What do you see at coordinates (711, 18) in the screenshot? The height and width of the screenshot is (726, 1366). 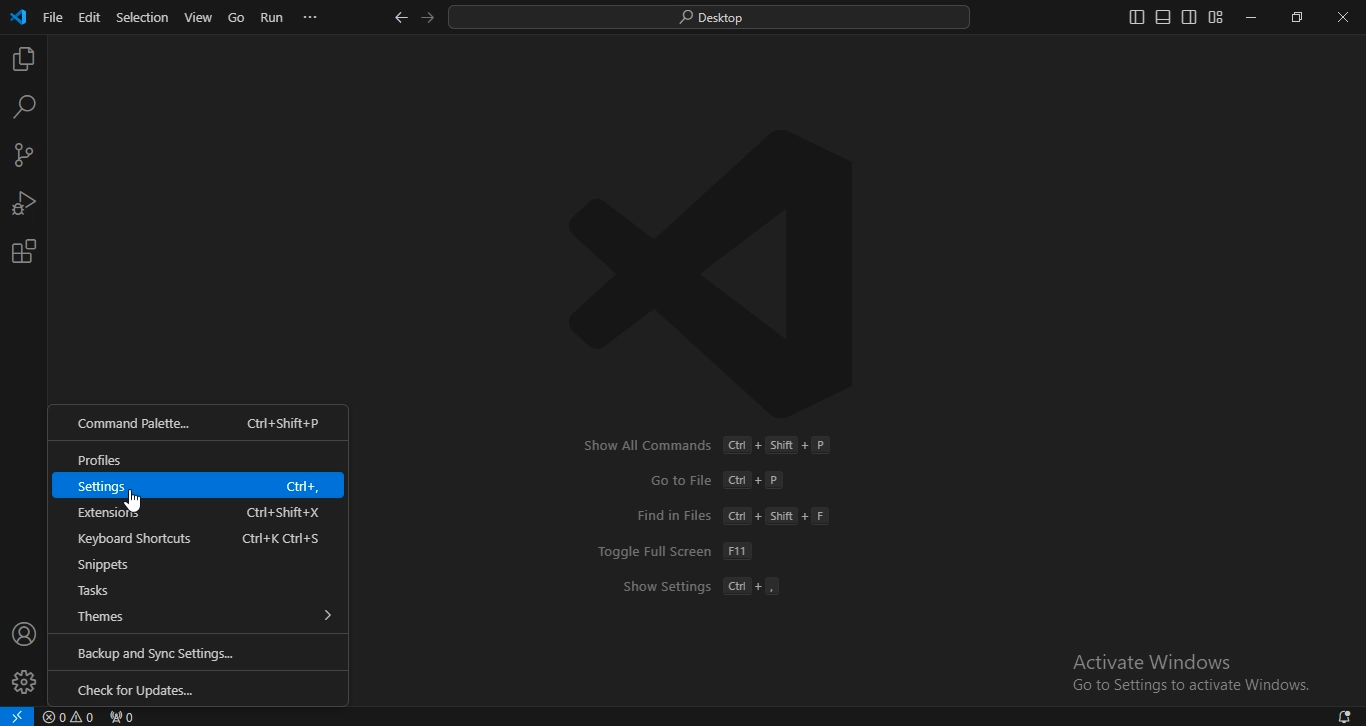 I see `search` at bounding box center [711, 18].